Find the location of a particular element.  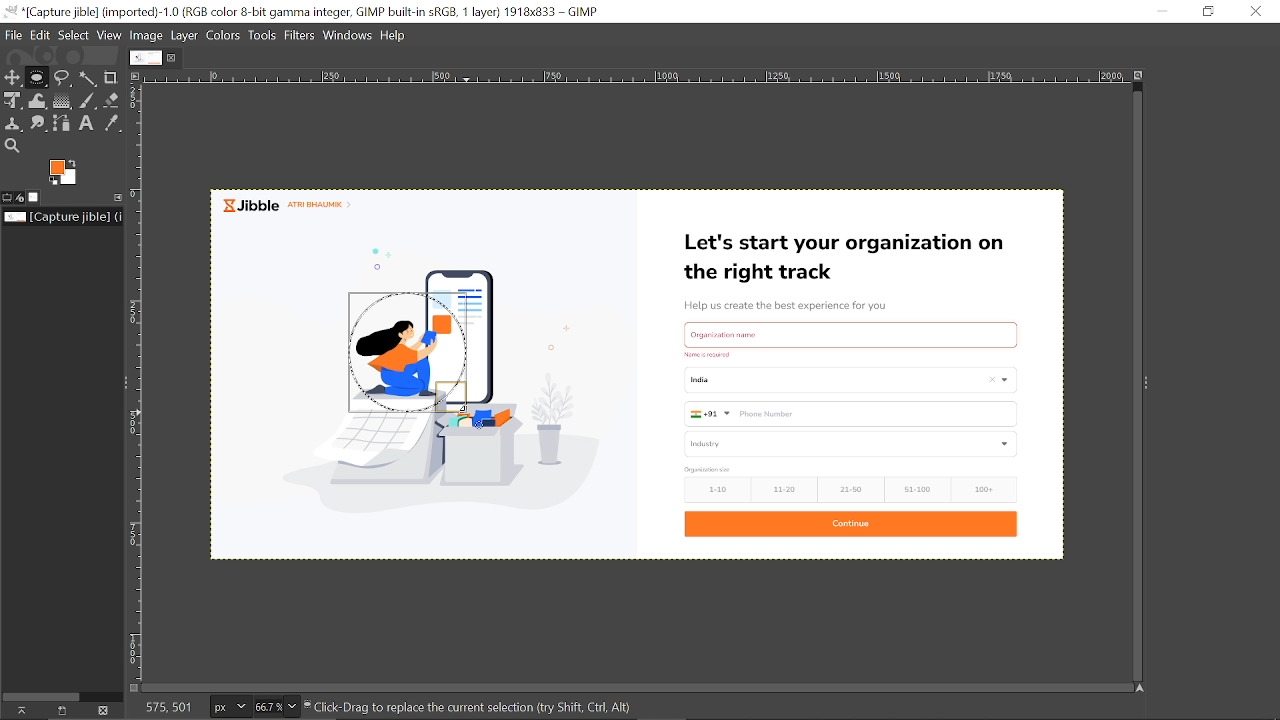

layer is located at coordinates (185, 34).